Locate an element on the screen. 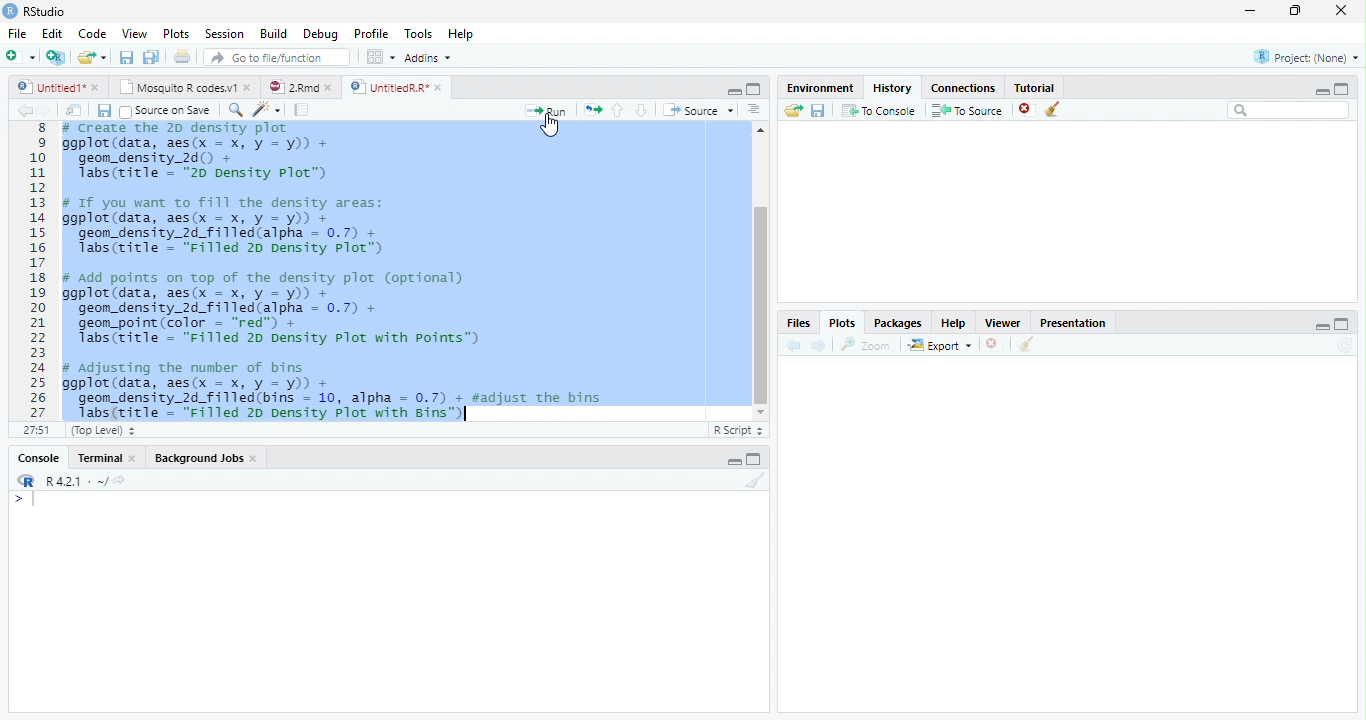  save is located at coordinates (104, 111).